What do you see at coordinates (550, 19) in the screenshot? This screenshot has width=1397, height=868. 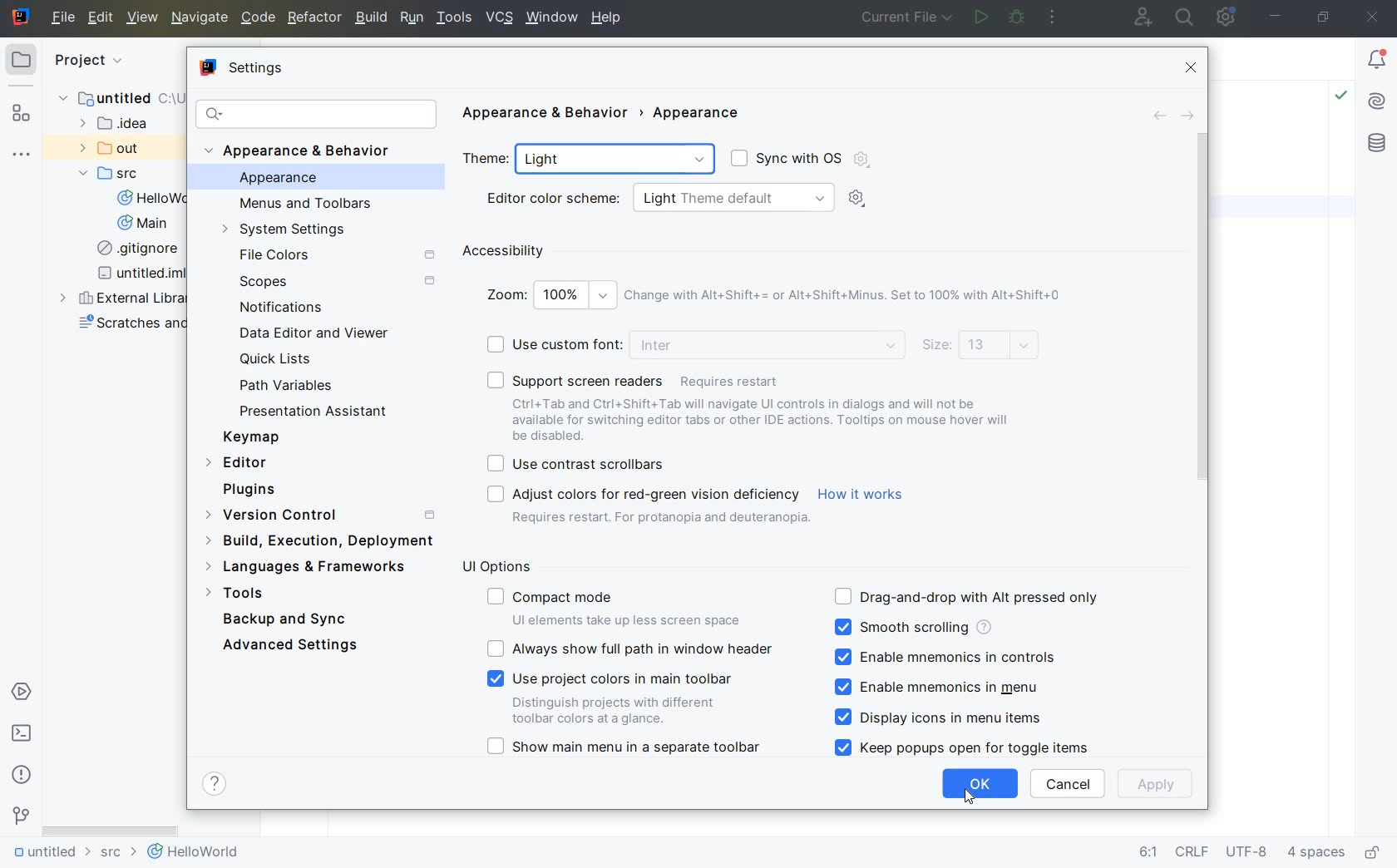 I see `WINDOW` at bounding box center [550, 19].